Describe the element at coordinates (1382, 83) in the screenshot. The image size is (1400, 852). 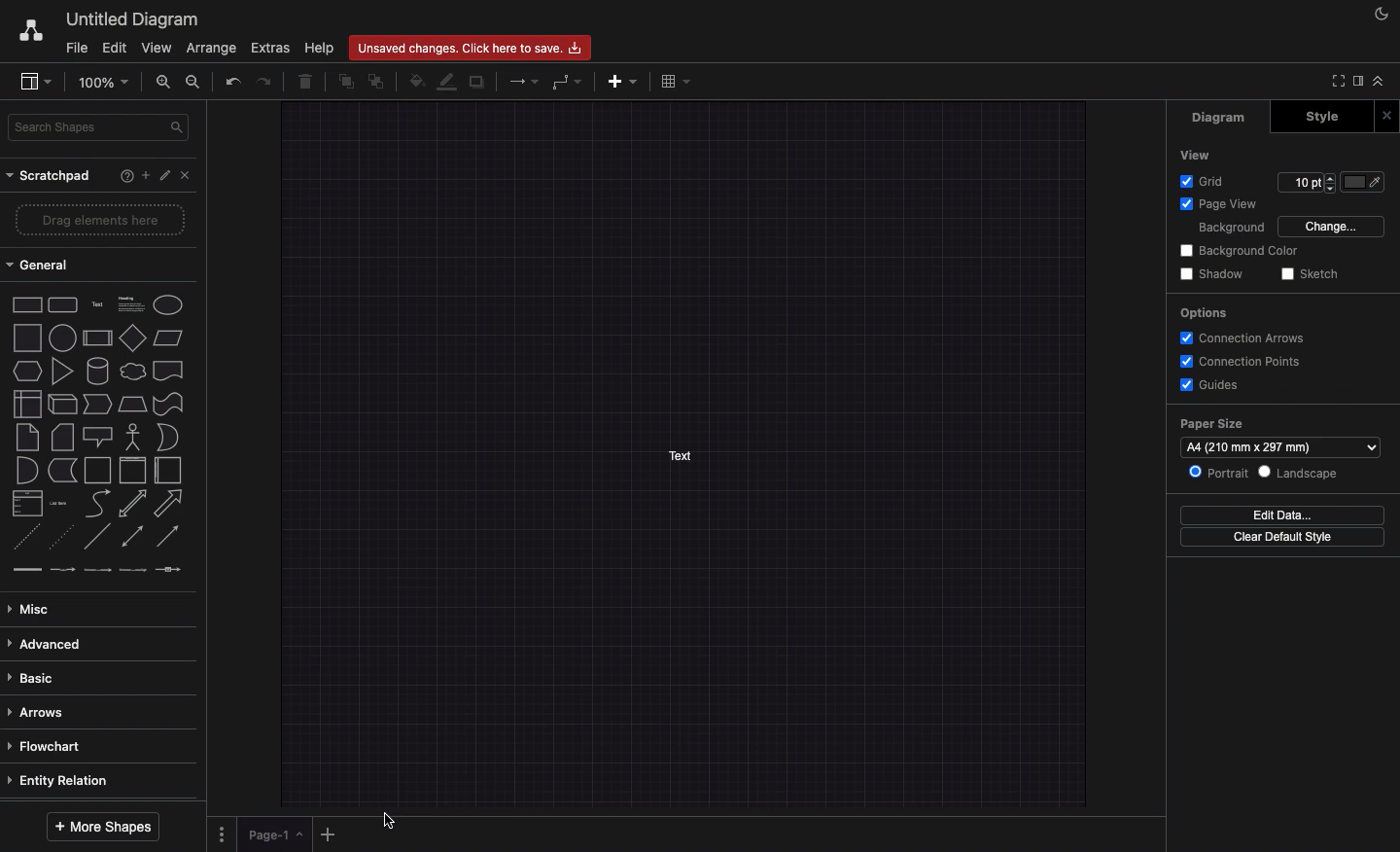
I see `Collapse` at that location.